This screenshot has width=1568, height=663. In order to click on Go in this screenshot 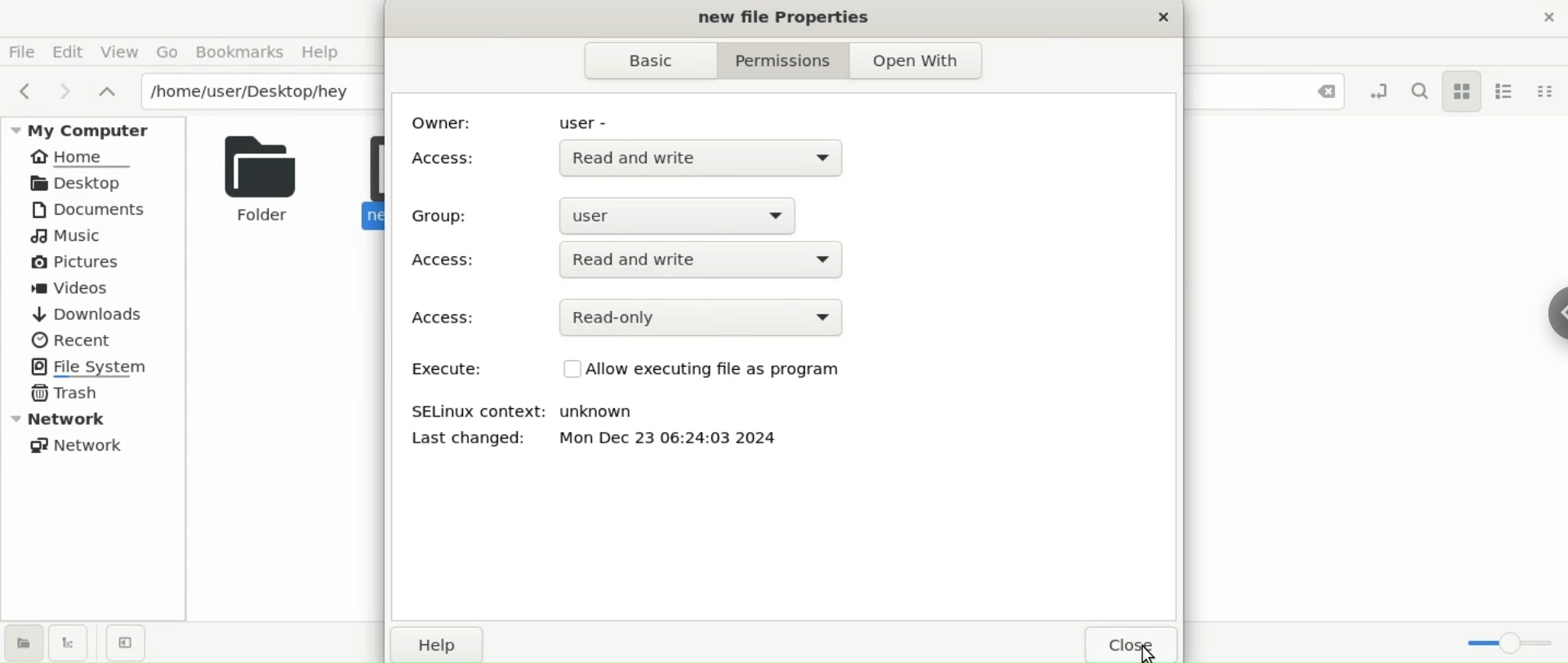, I will do `click(165, 51)`.